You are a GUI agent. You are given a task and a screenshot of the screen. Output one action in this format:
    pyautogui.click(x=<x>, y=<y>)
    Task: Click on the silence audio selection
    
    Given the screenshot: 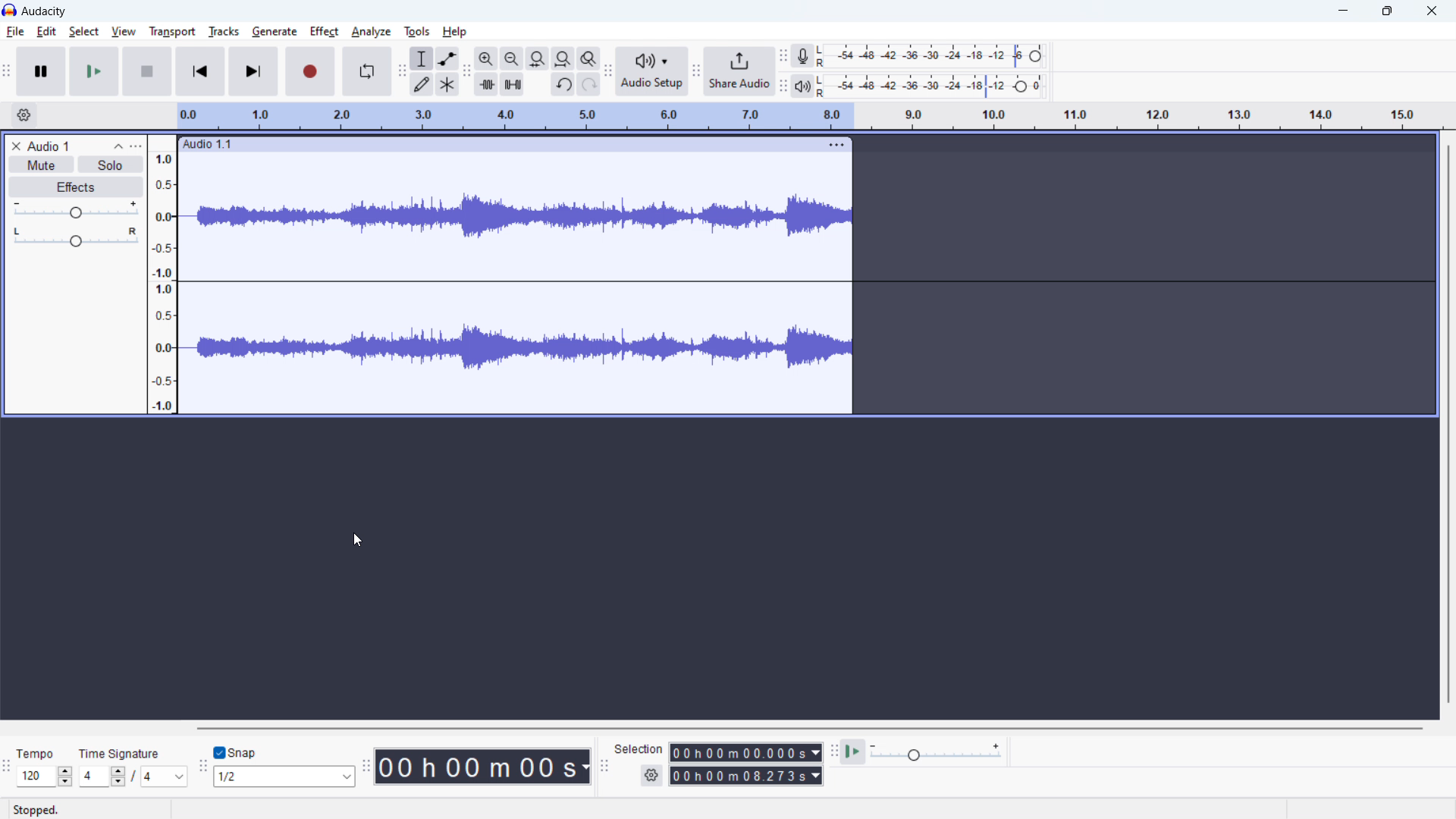 What is the action you would take?
    pyautogui.click(x=512, y=83)
    